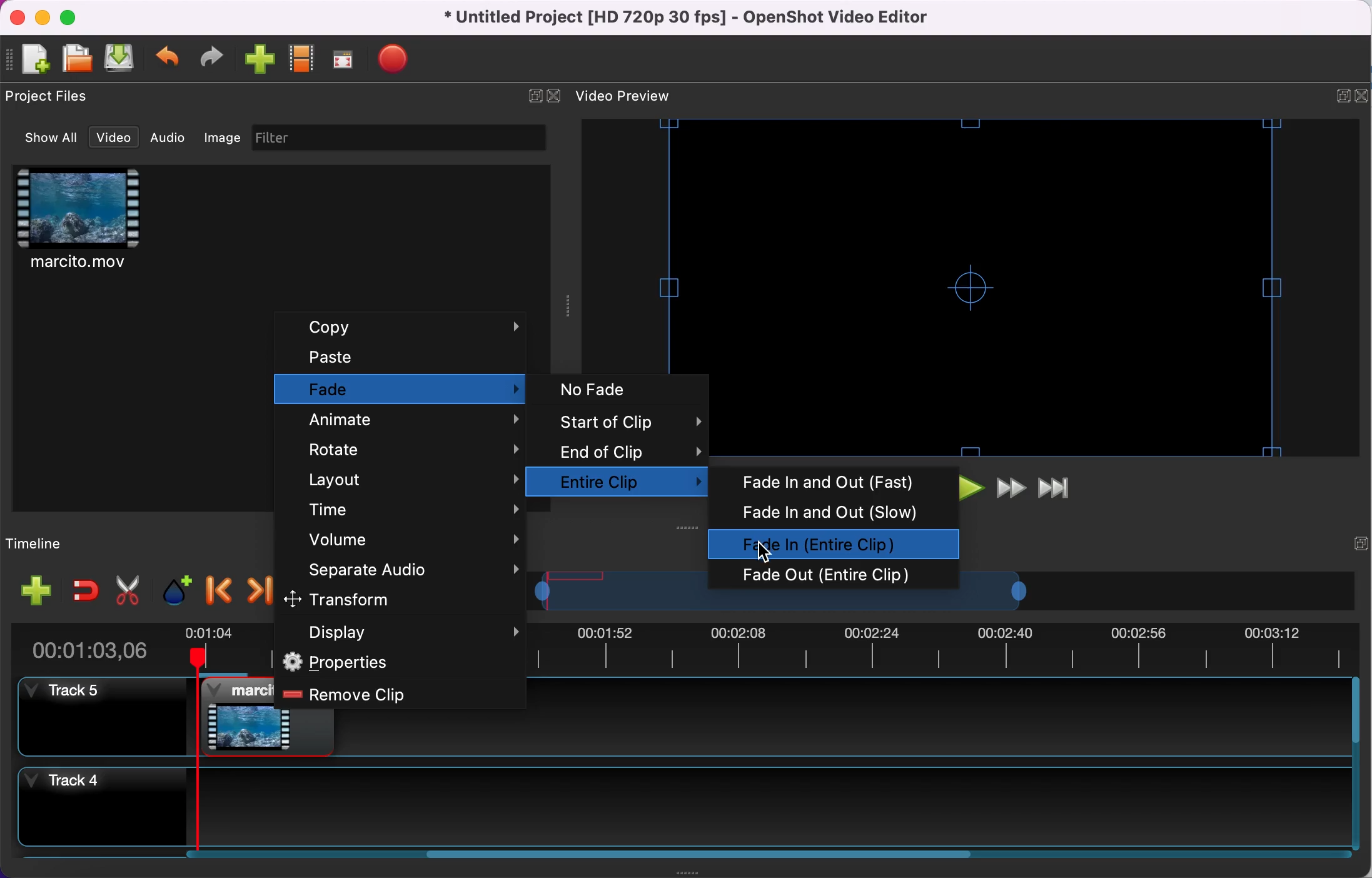 The height and width of the screenshot is (878, 1372). I want to click on cut, so click(123, 591).